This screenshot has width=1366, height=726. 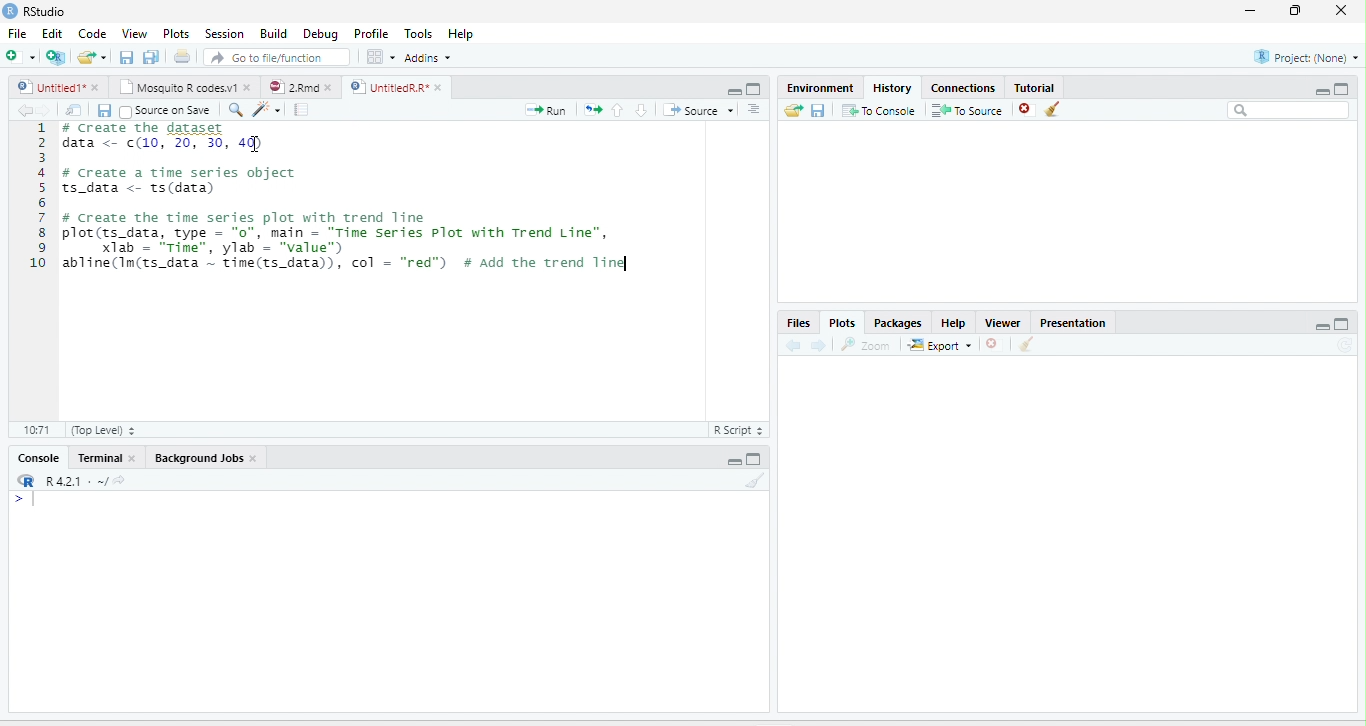 I want to click on Save current document, so click(x=126, y=56).